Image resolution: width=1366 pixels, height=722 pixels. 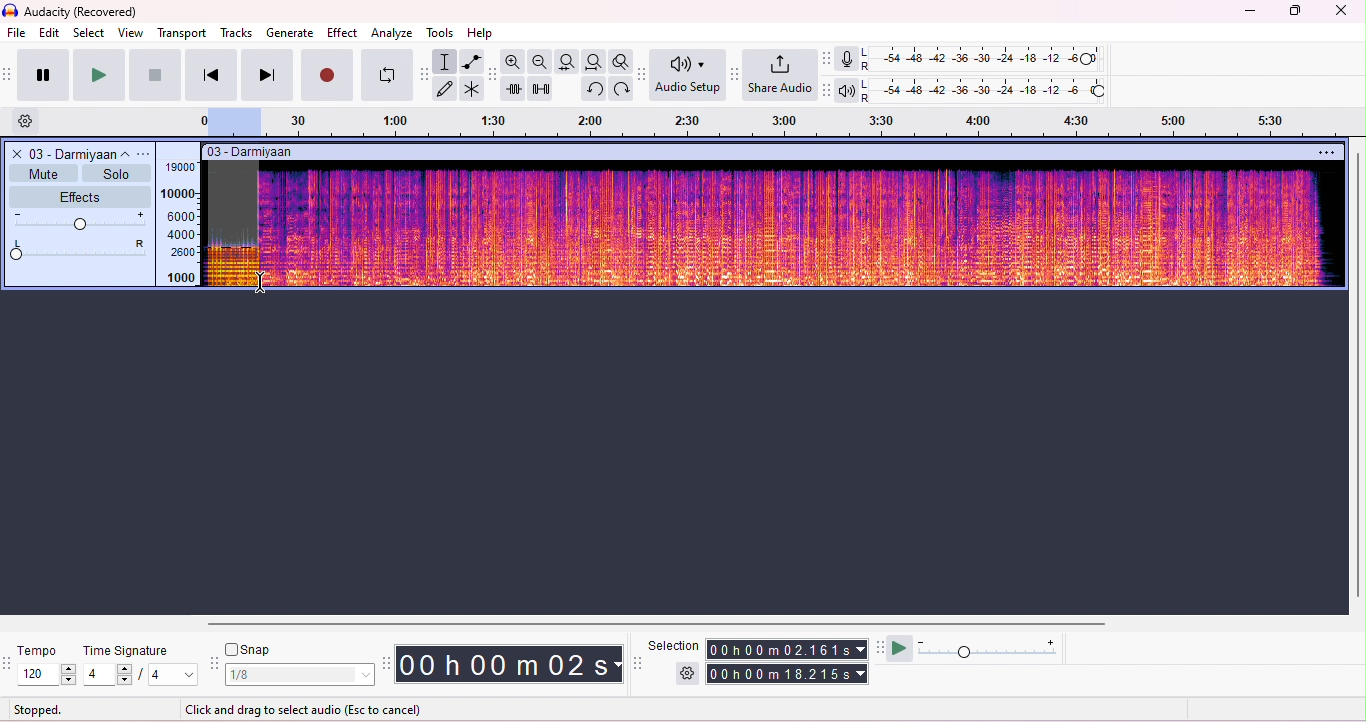 I want to click on draw, so click(x=447, y=88).